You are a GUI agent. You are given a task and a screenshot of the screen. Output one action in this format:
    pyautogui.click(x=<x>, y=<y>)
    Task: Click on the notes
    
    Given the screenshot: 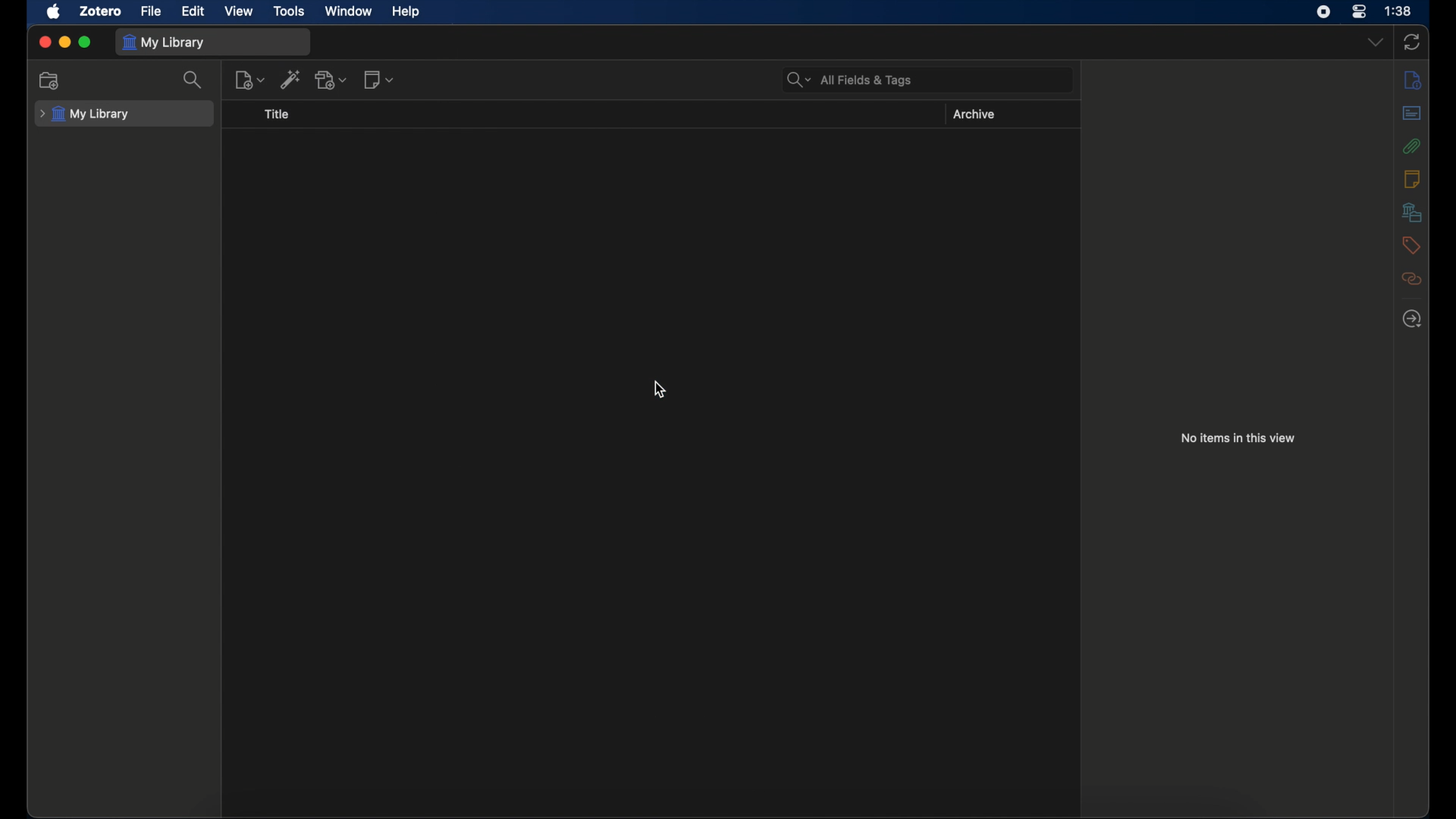 What is the action you would take?
    pyautogui.click(x=1411, y=179)
    